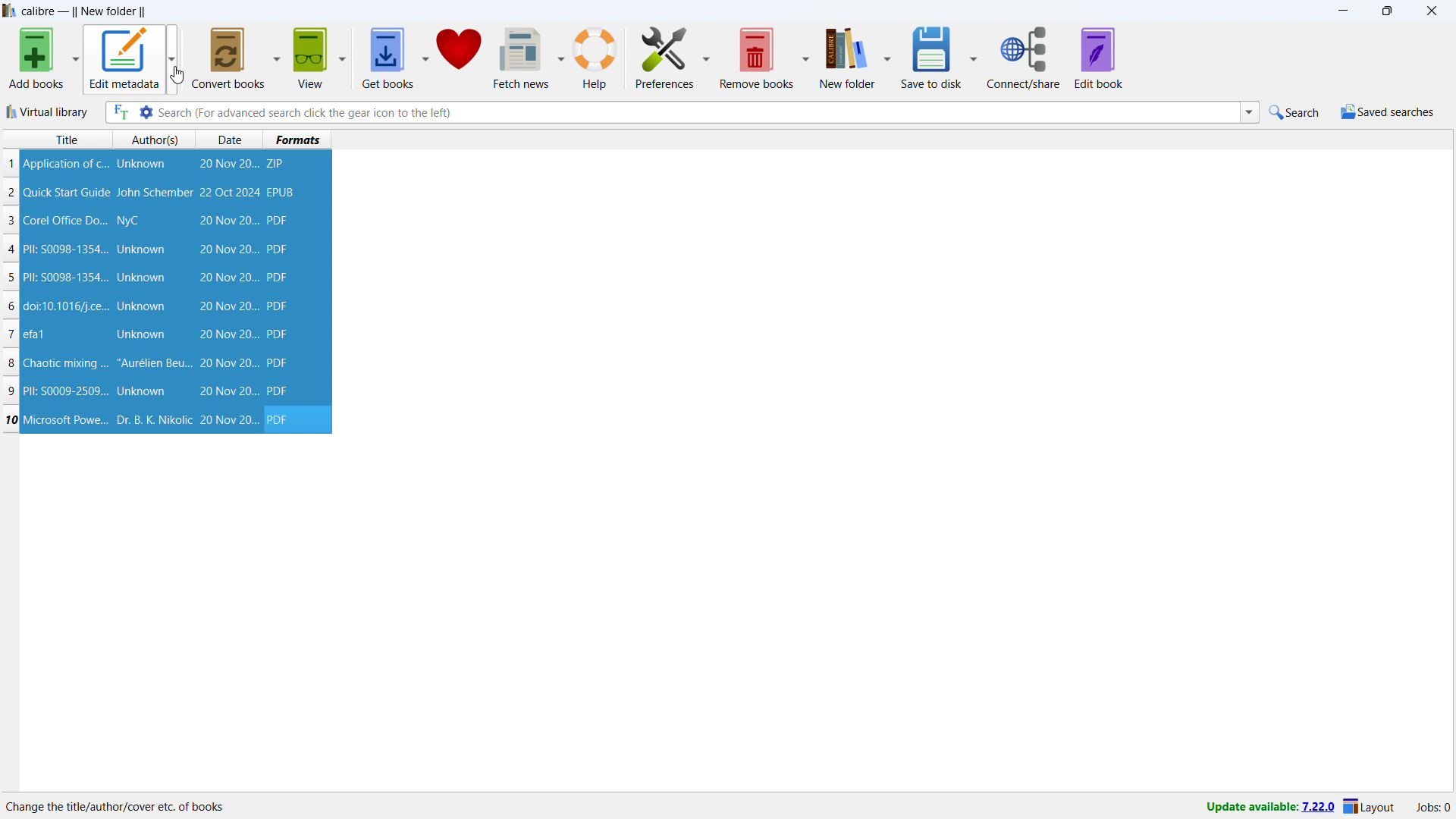 The width and height of the screenshot is (1456, 819). What do you see at coordinates (342, 58) in the screenshot?
I see `view options` at bounding box center [342, 58].